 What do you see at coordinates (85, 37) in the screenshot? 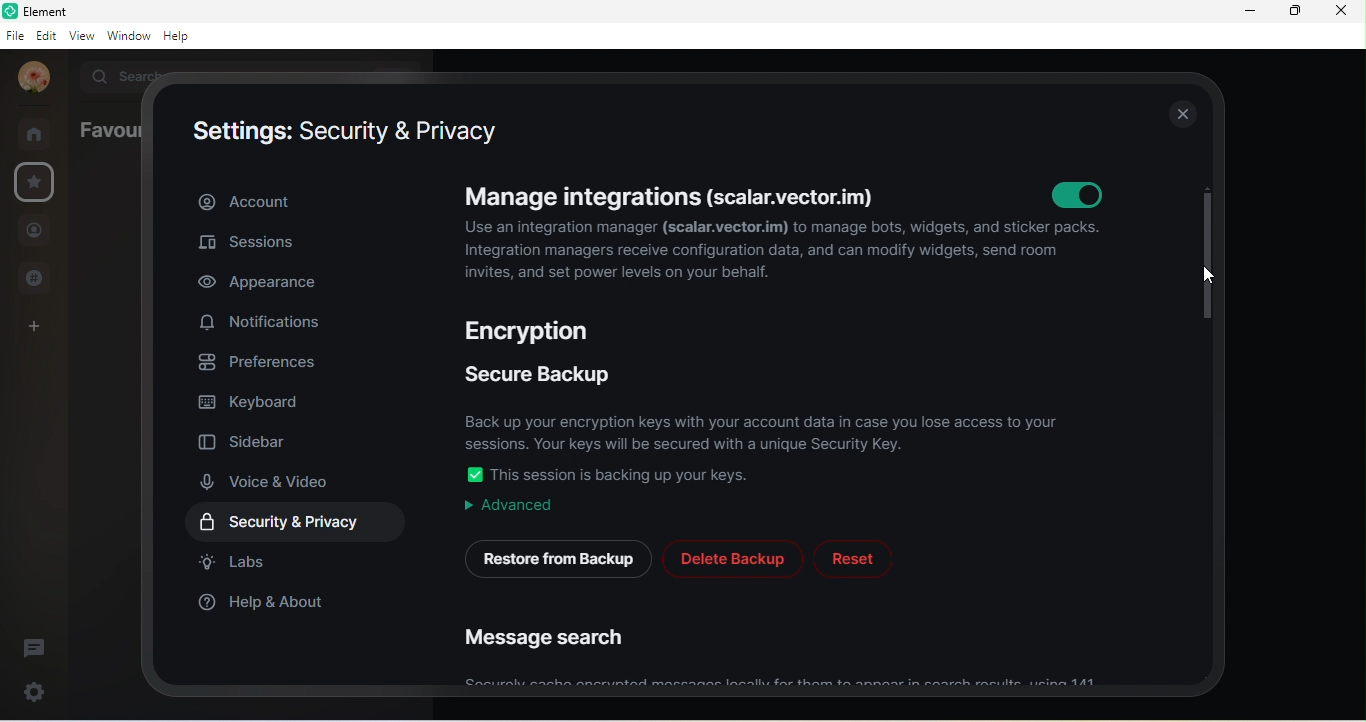
I see `view` at bounding box center [85, 37].